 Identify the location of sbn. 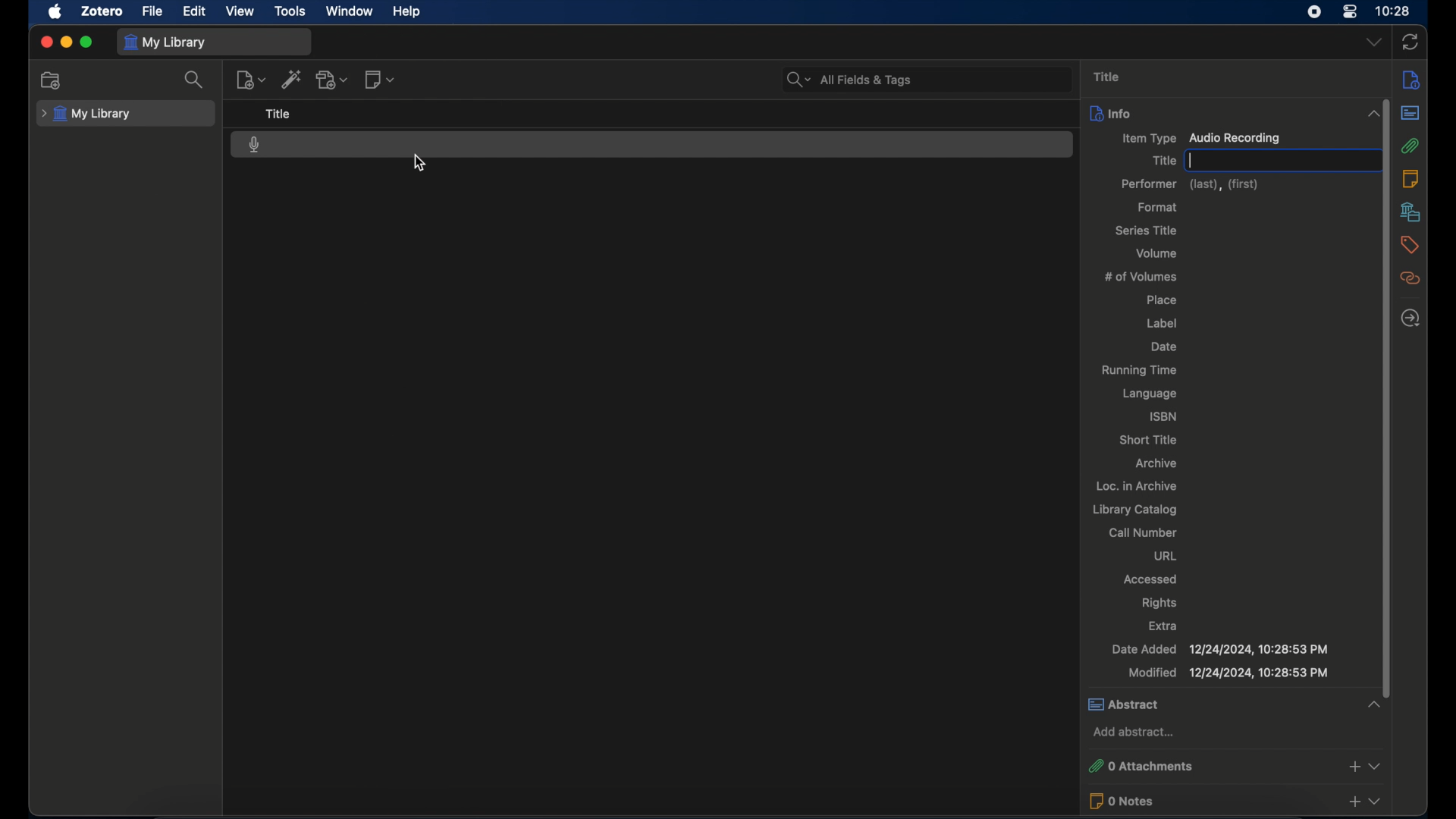
(1161, 416).